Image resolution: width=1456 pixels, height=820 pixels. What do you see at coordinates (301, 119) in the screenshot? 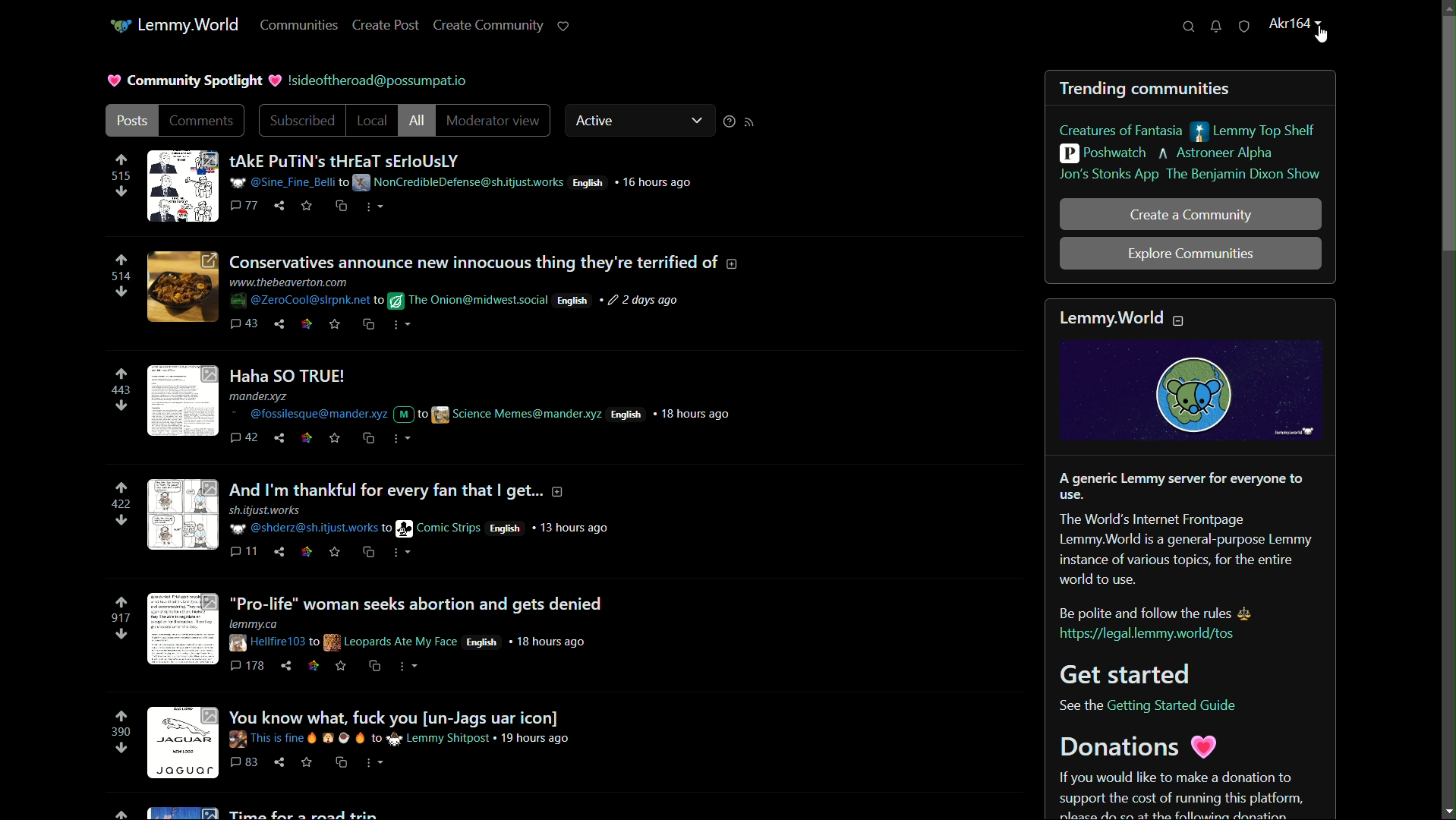
I see `subscribed` at bounding box center [301, 119].